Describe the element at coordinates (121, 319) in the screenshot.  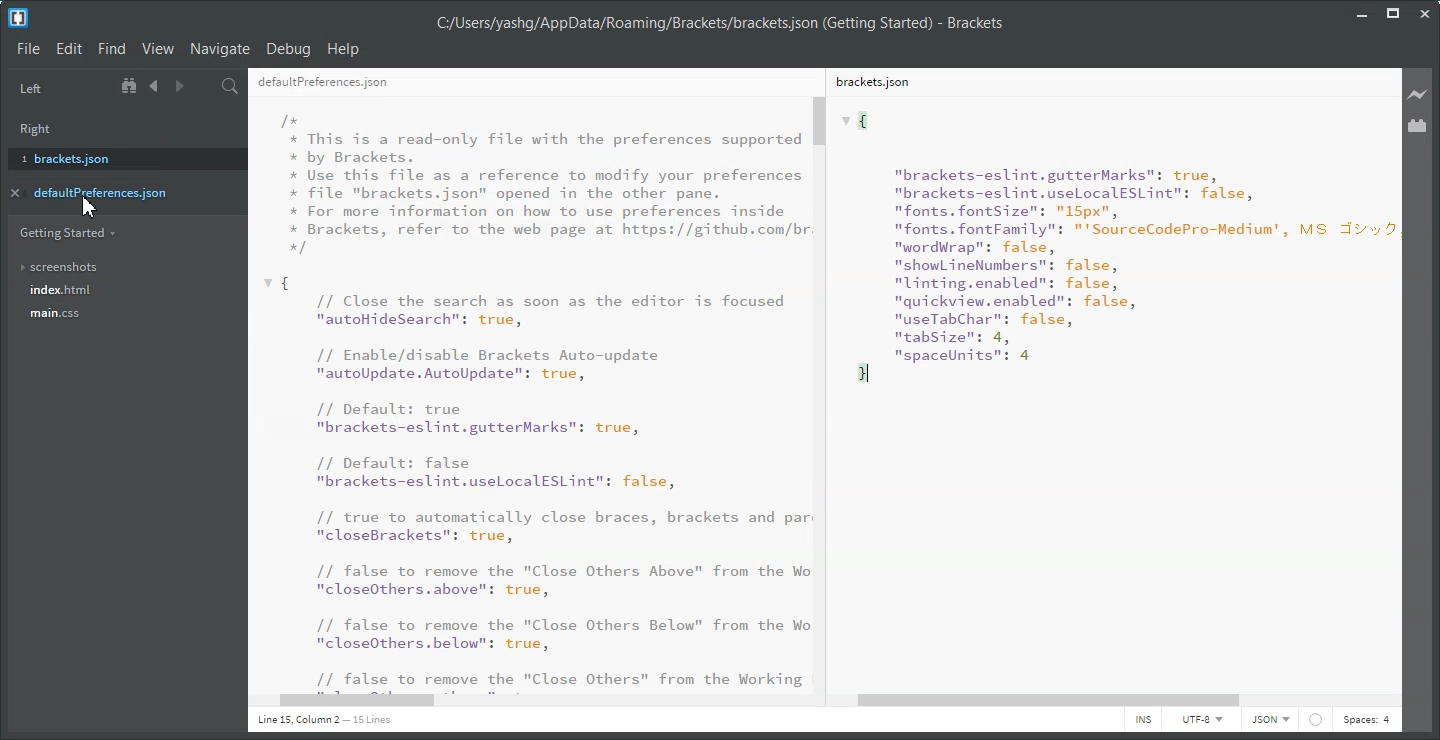
I see `main.css` at that location.